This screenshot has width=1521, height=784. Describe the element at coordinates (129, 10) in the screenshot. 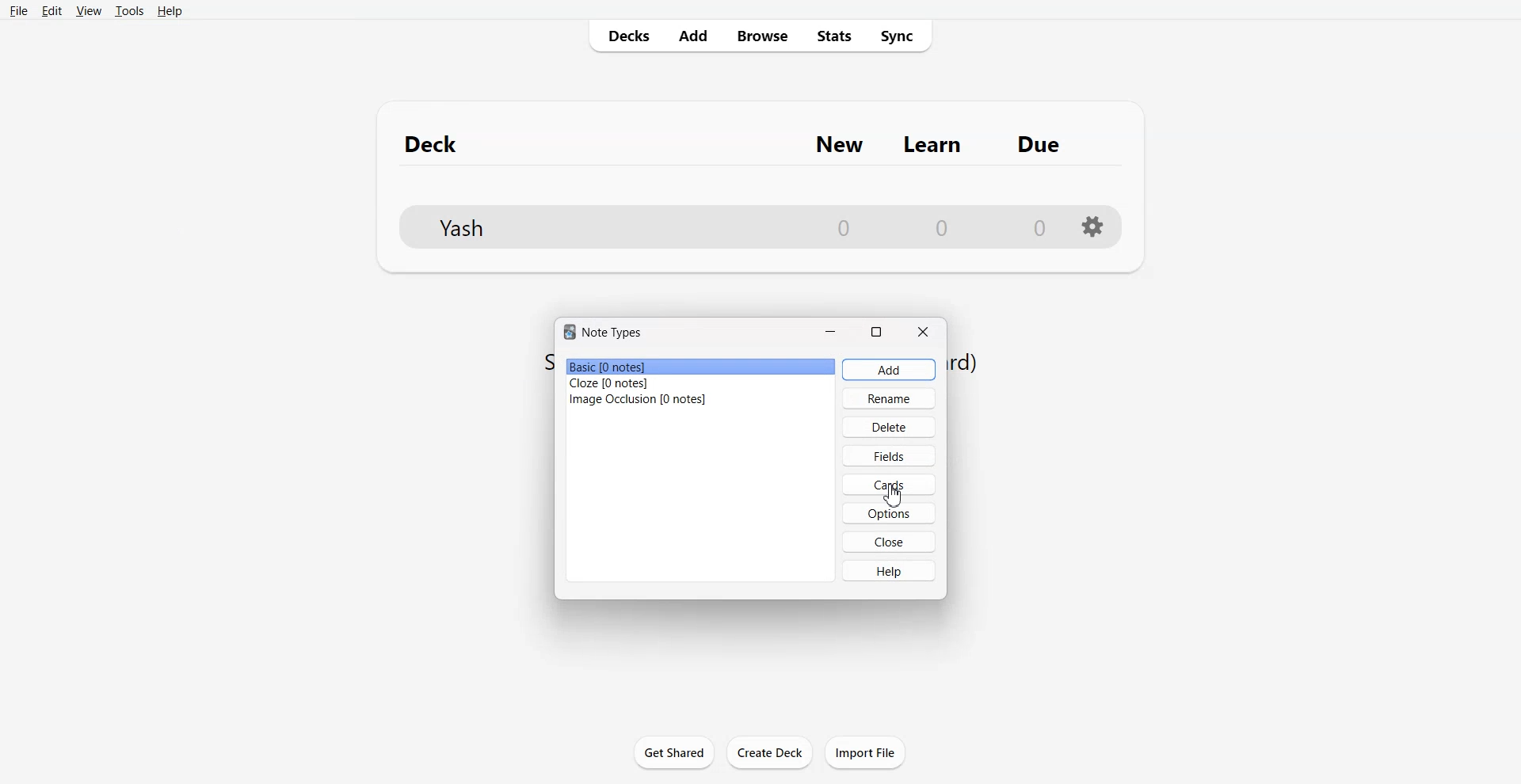

I see `Tools` at that location.